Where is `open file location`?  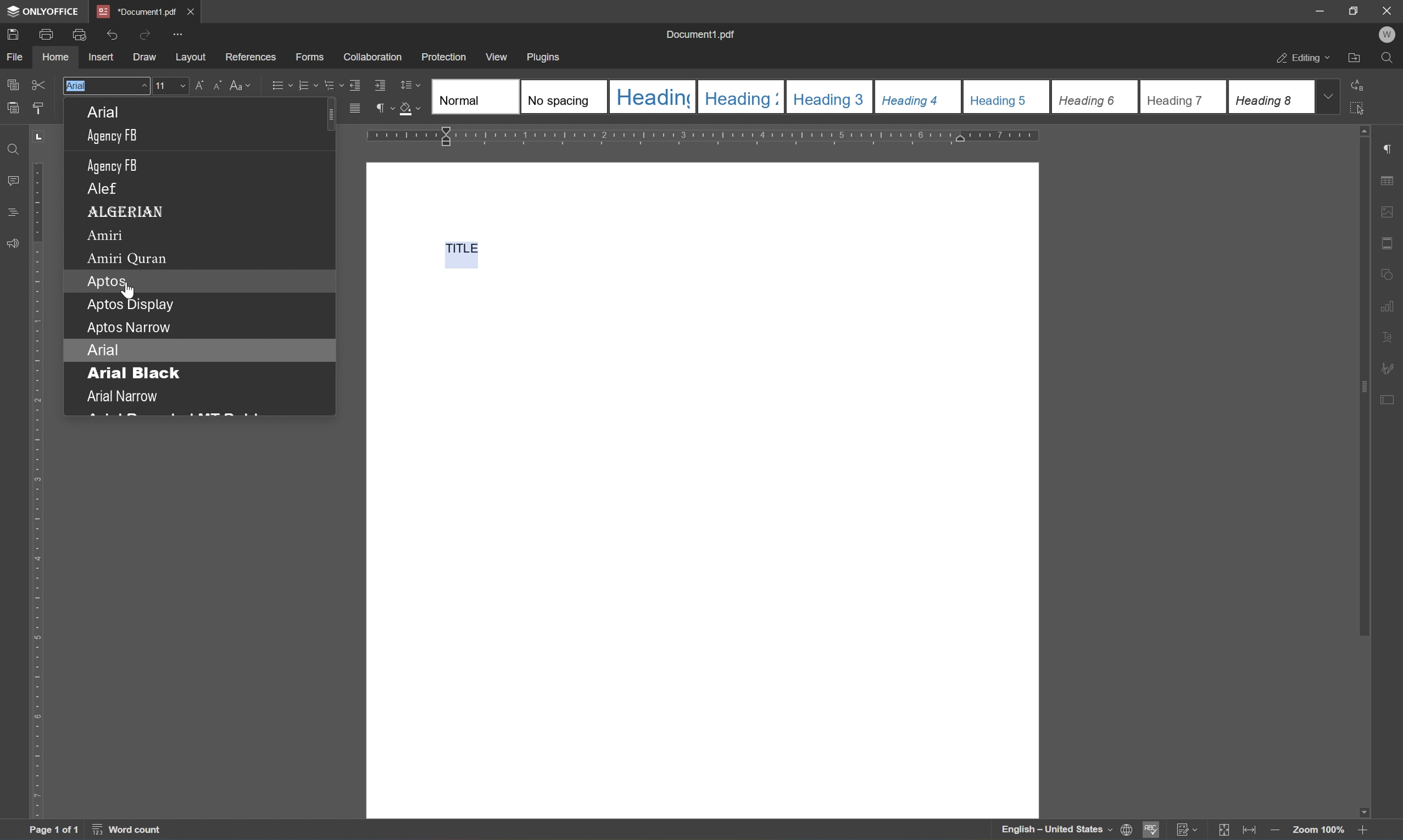
open file location is located at coordinates (1354, 58).